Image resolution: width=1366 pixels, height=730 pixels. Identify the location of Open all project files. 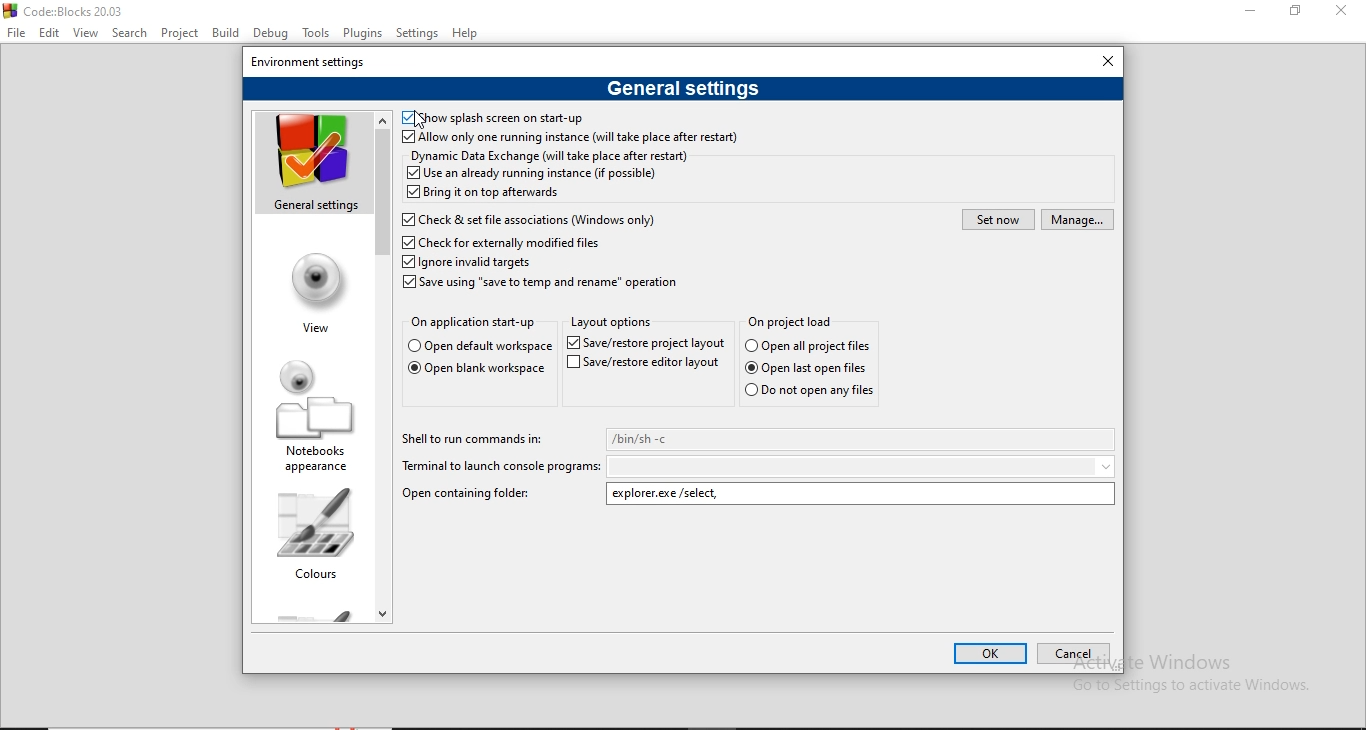
(808, 345).